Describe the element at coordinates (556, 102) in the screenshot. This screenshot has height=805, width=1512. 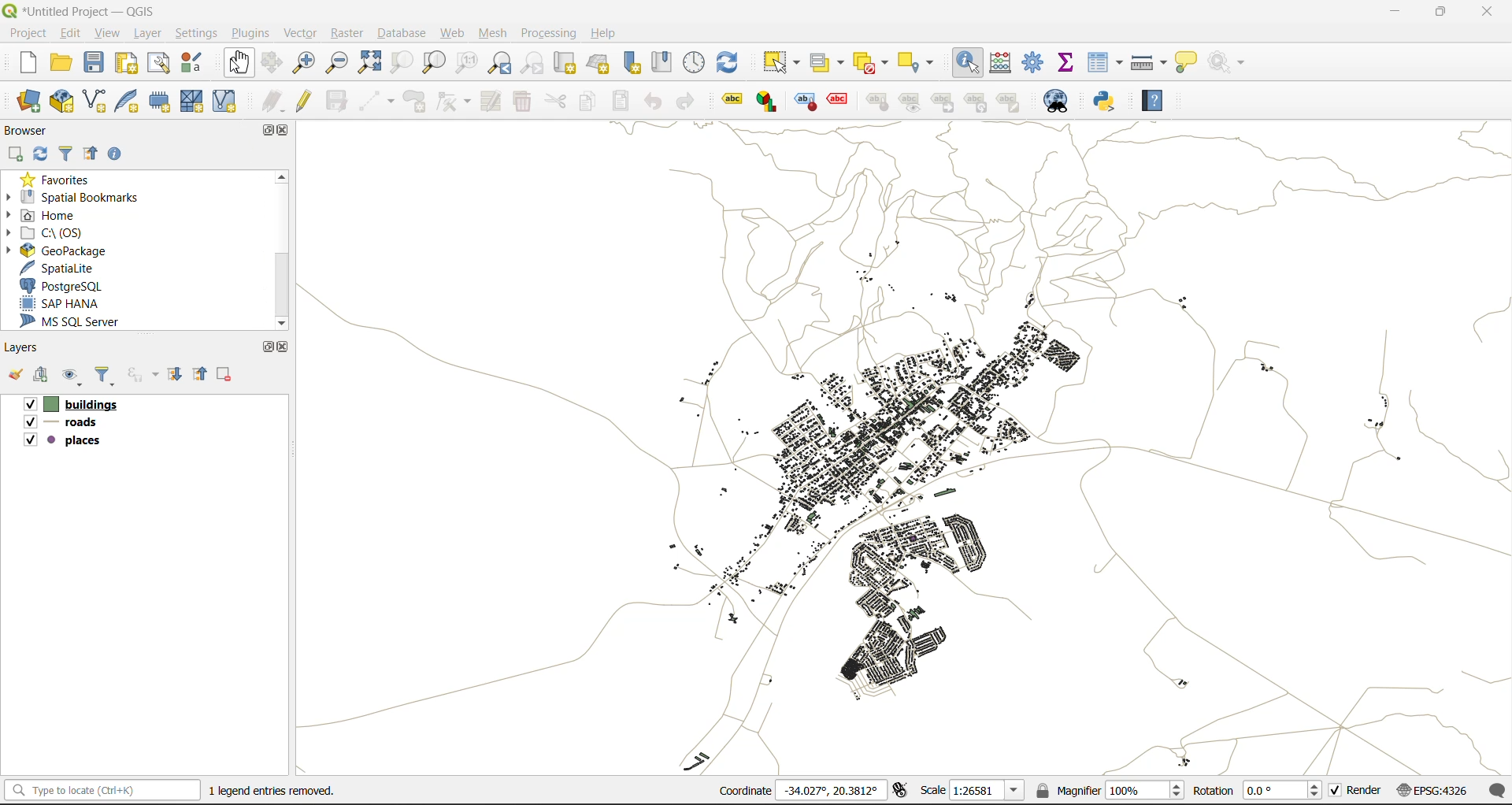
I see `cut` at that location.